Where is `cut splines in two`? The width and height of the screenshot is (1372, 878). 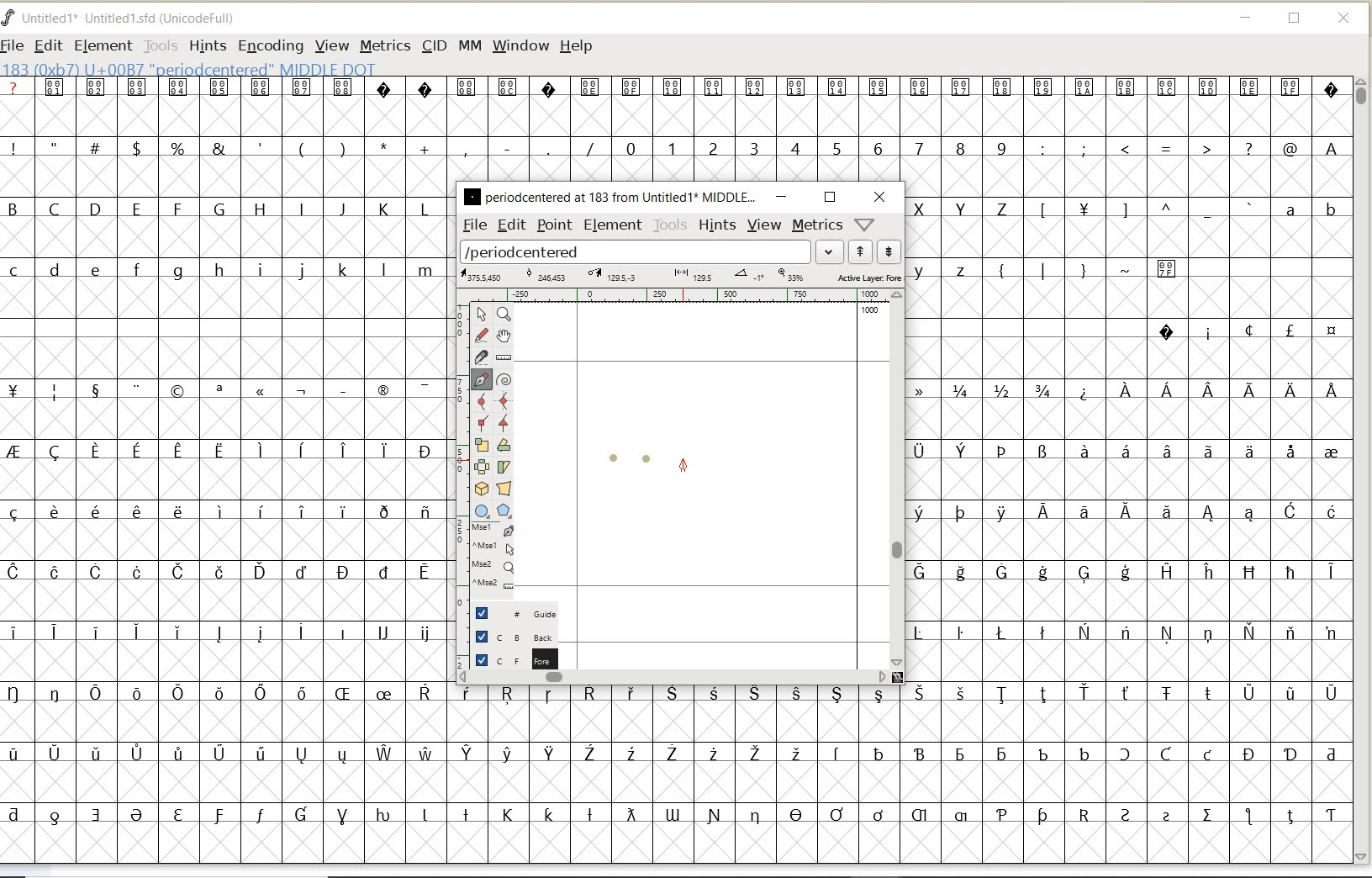 cut splines in two is located at coordinates (481, 357).